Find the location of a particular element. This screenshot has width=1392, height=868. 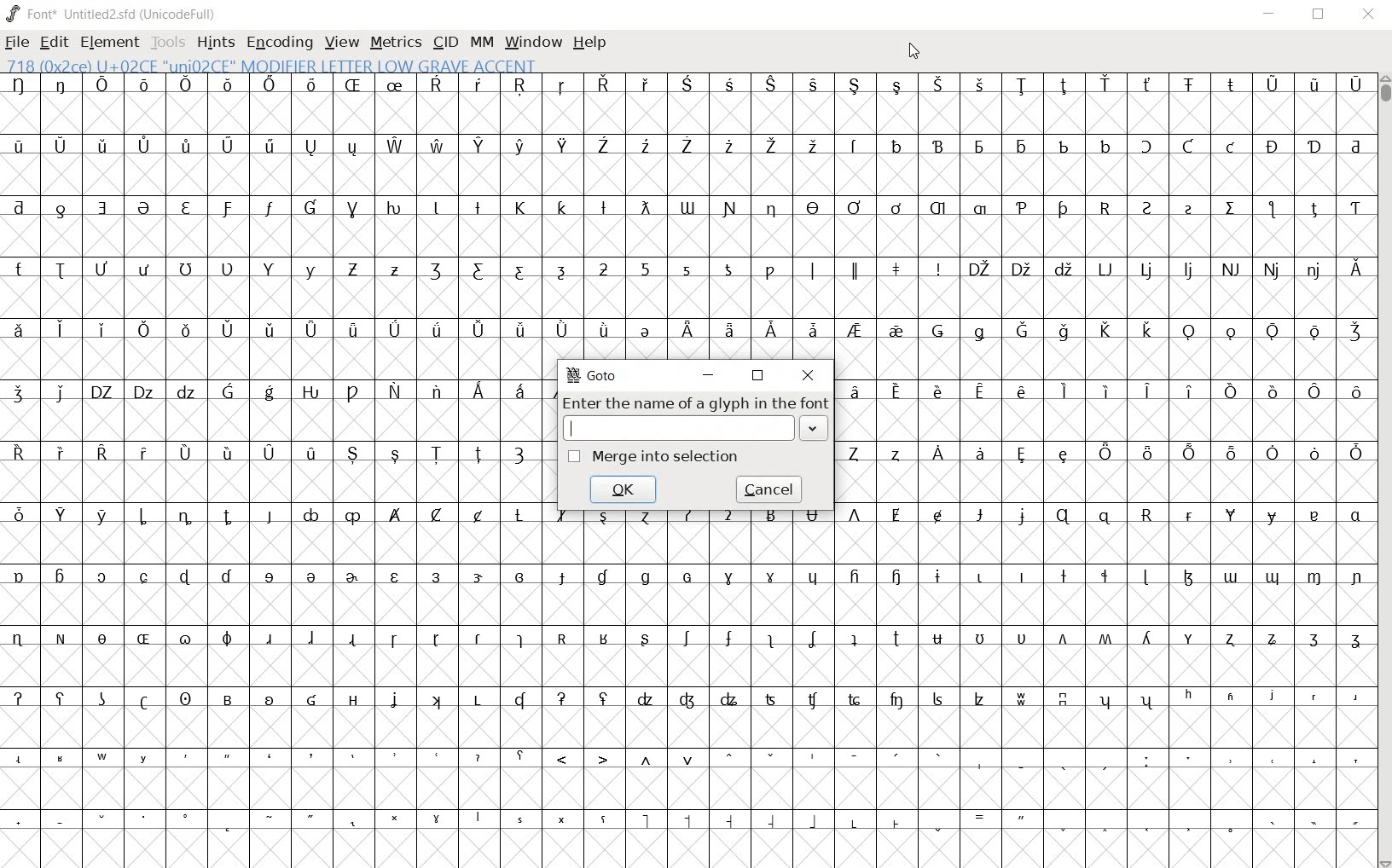

edit is located at coordinates (52, 40).